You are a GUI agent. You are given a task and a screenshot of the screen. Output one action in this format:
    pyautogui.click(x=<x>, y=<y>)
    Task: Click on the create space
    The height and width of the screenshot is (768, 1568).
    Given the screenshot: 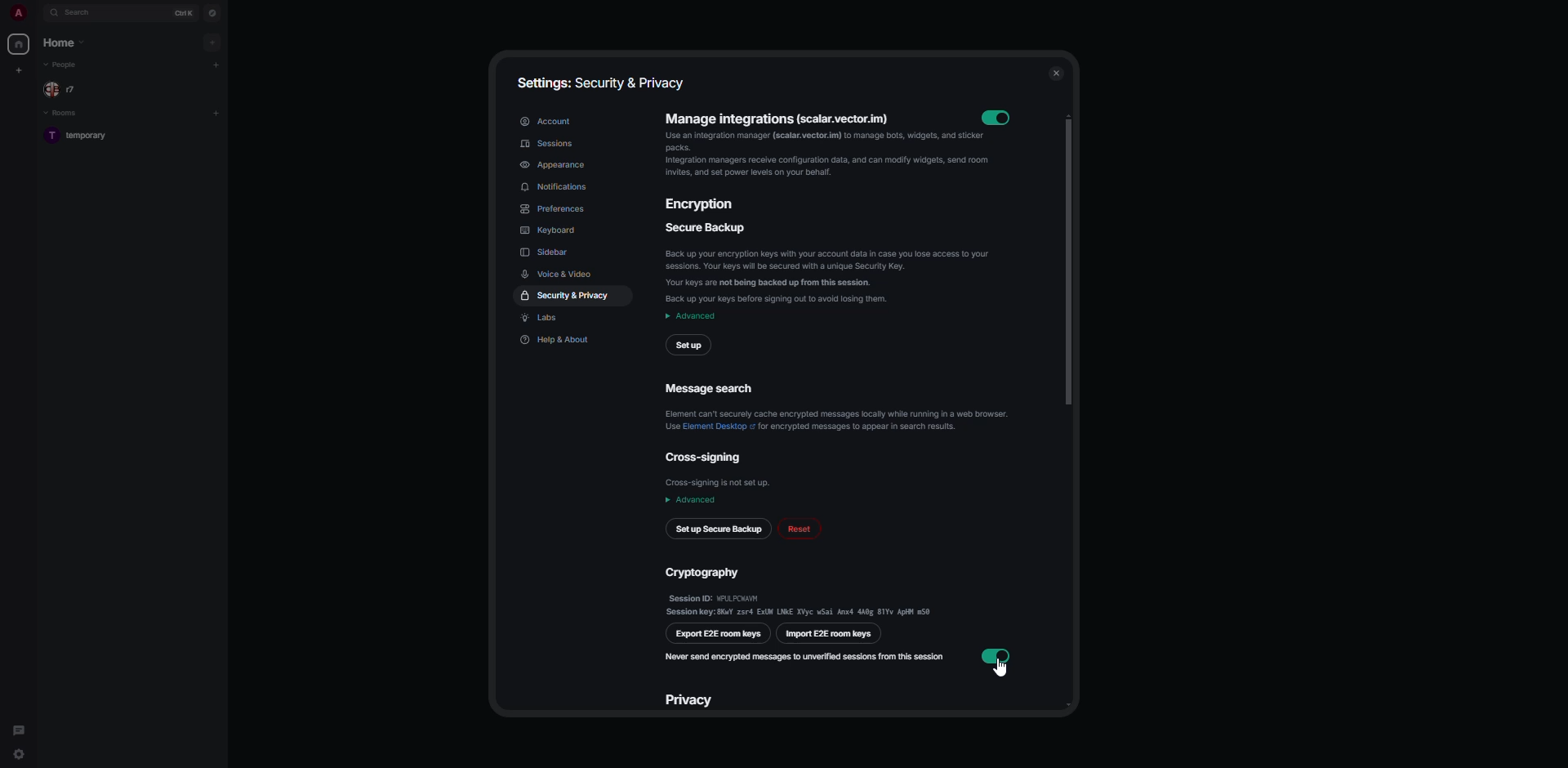 What is the action you would take?
    pyautogui.click(x=21, y=70)
    